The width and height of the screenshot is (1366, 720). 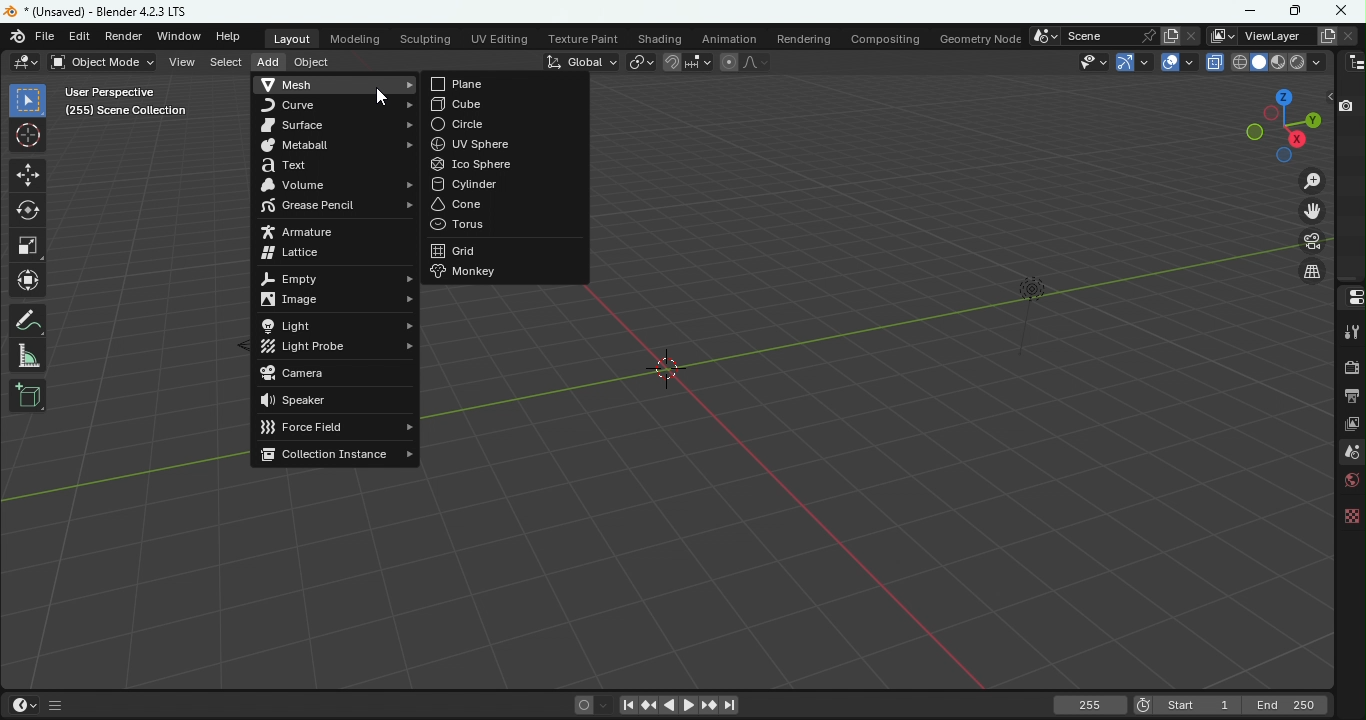 I want to click on Transforming pivot point, so click(x=640, y=61).